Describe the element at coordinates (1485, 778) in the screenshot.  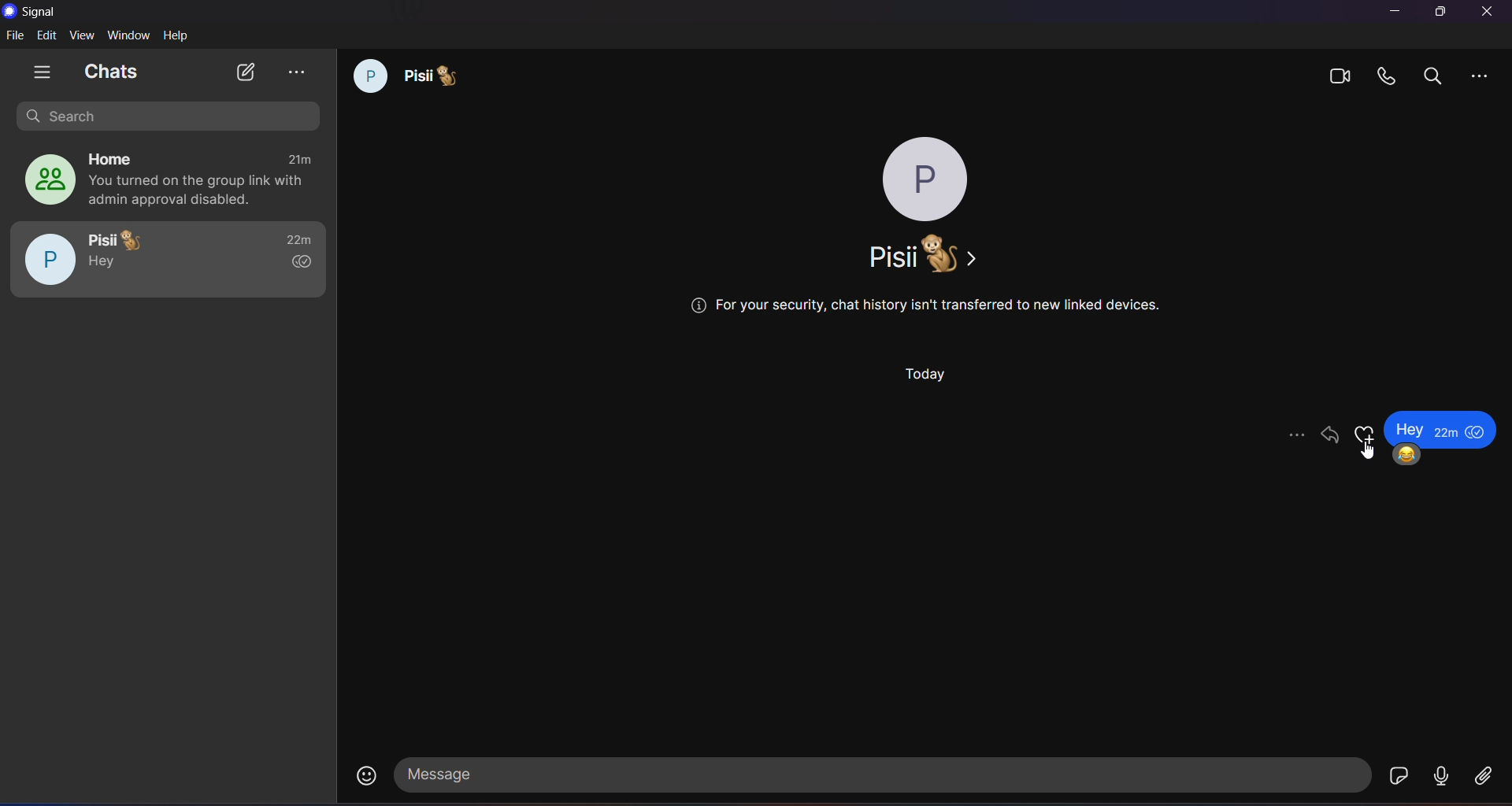
I see `file share` at that location.